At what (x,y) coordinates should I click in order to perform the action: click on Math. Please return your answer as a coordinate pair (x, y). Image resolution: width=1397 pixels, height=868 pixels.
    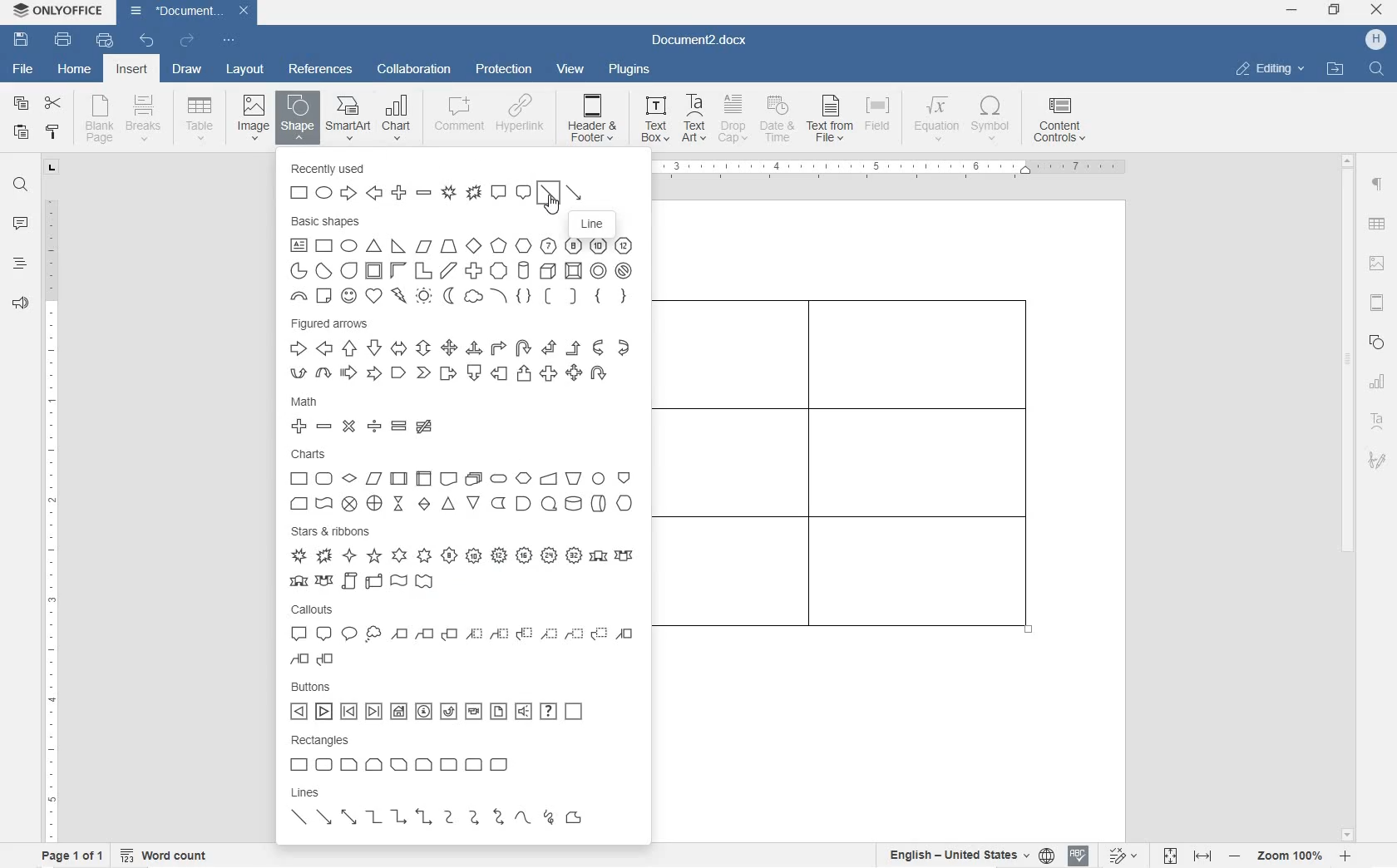
    Looking at the image, I should click on (466, 416).